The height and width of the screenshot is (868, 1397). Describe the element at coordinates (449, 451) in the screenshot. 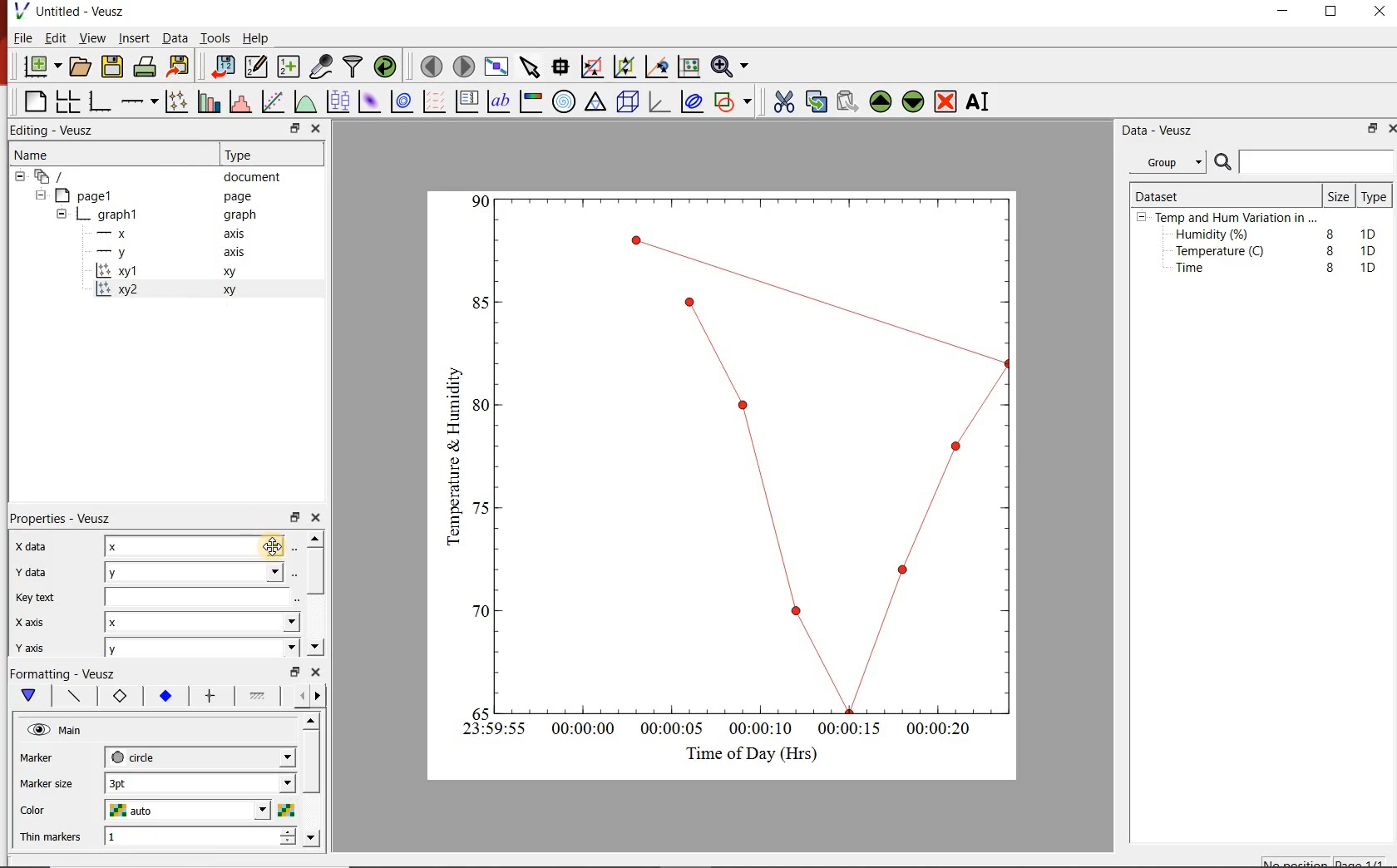

I see `Temperature & Humidity` at that location.